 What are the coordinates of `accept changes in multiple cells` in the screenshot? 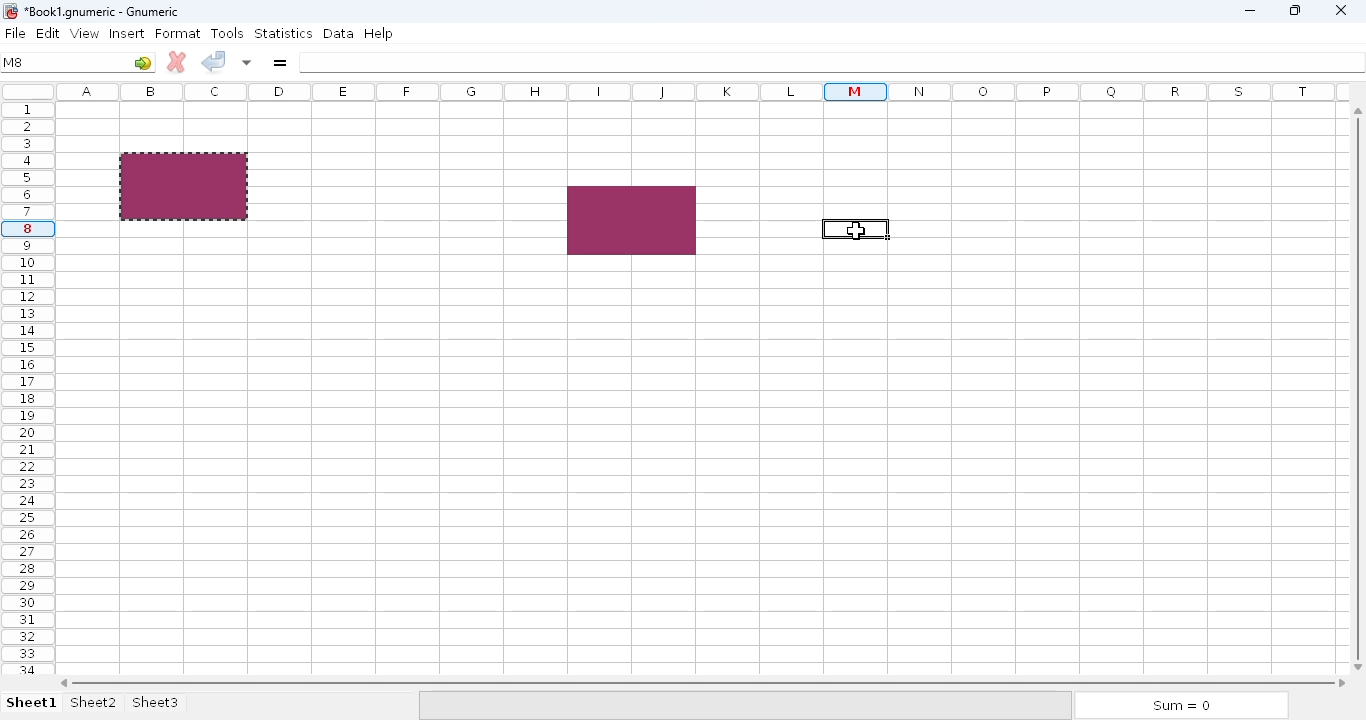 It's located at (247, 62).